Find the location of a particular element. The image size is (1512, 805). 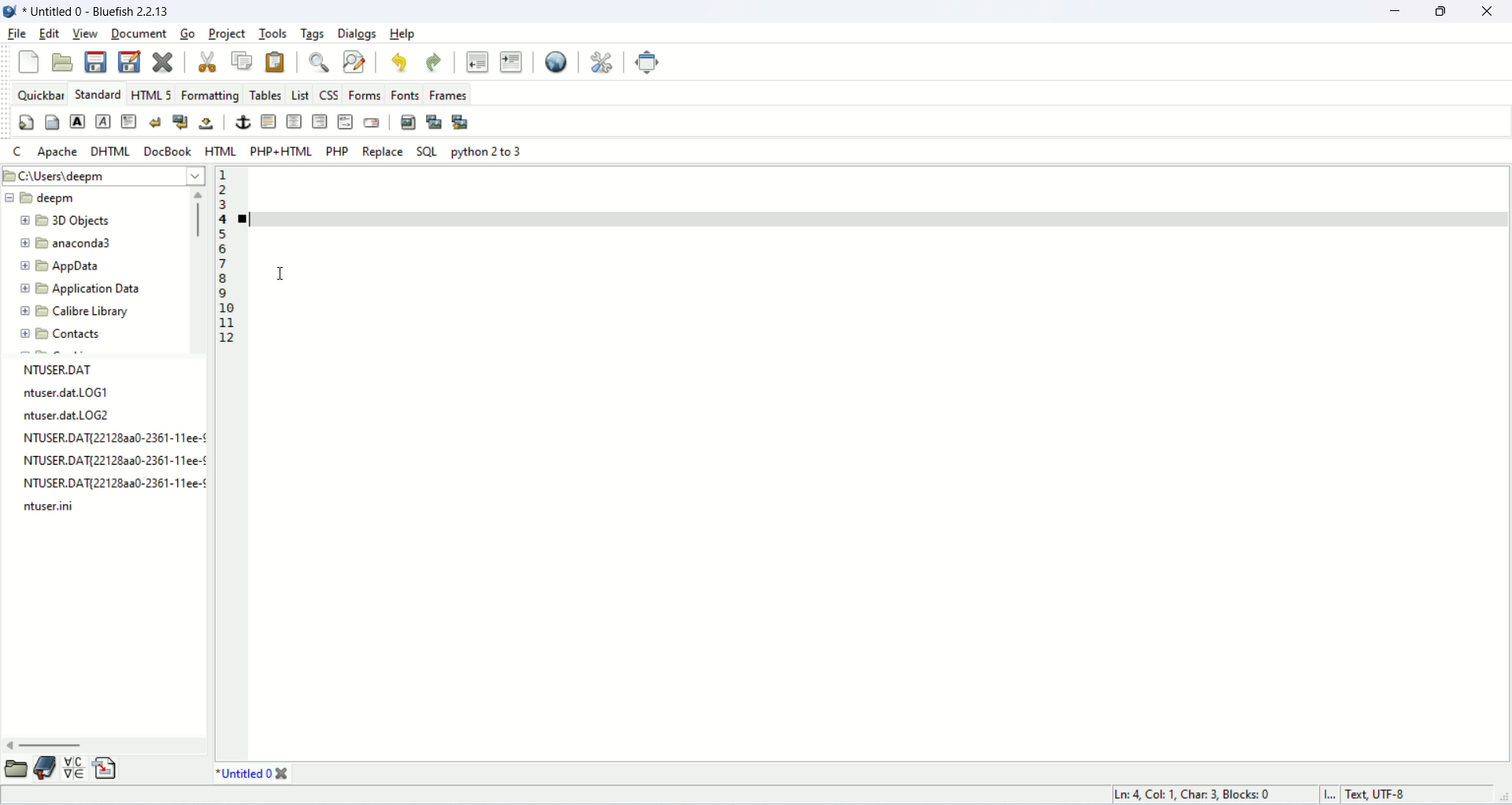

new file is located at coordinates (26, 64).